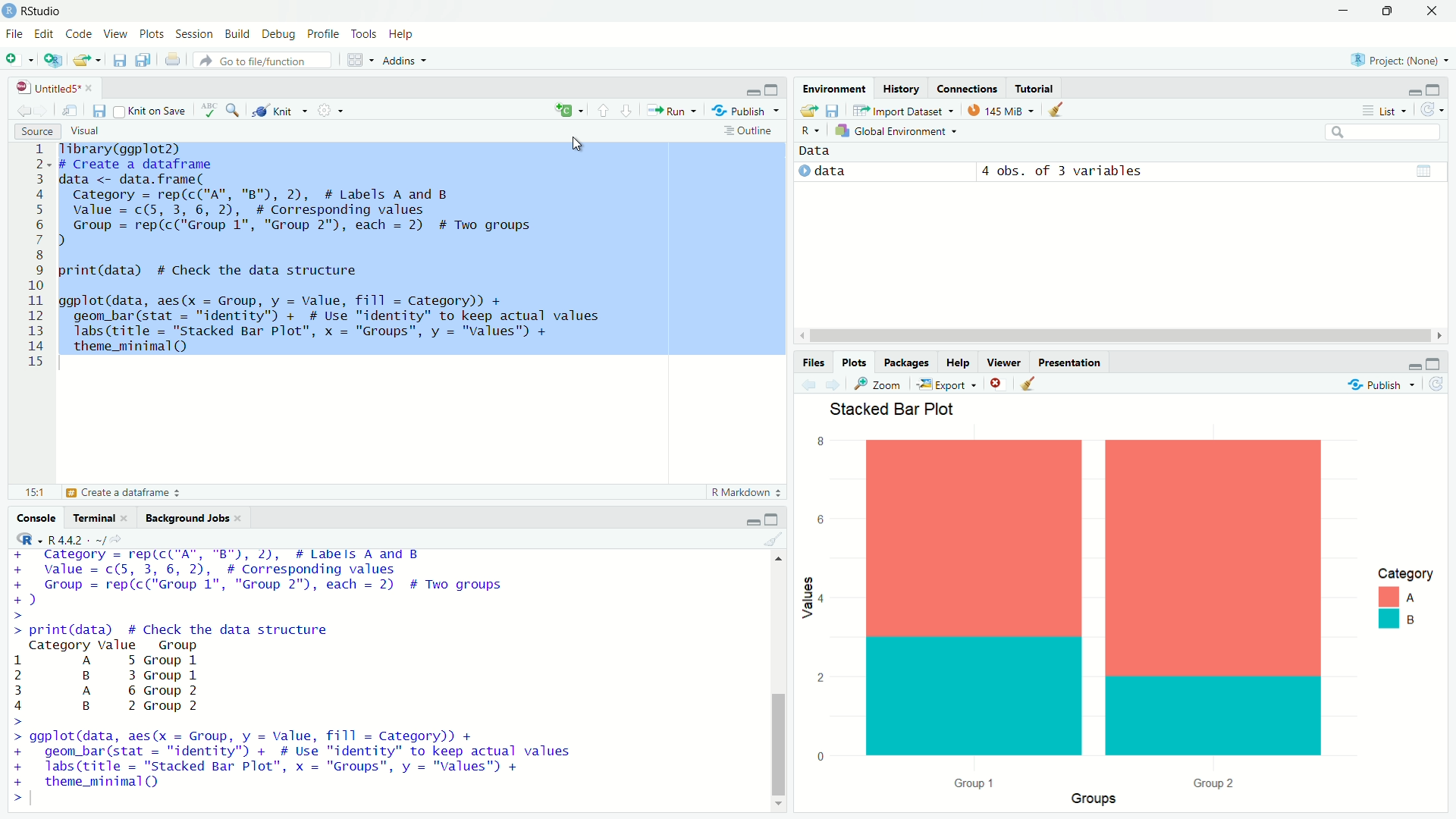 The width and height of the screenshot is (1456, 819). I want to click on Save current document (Ctrl + S), so click(121, 60).